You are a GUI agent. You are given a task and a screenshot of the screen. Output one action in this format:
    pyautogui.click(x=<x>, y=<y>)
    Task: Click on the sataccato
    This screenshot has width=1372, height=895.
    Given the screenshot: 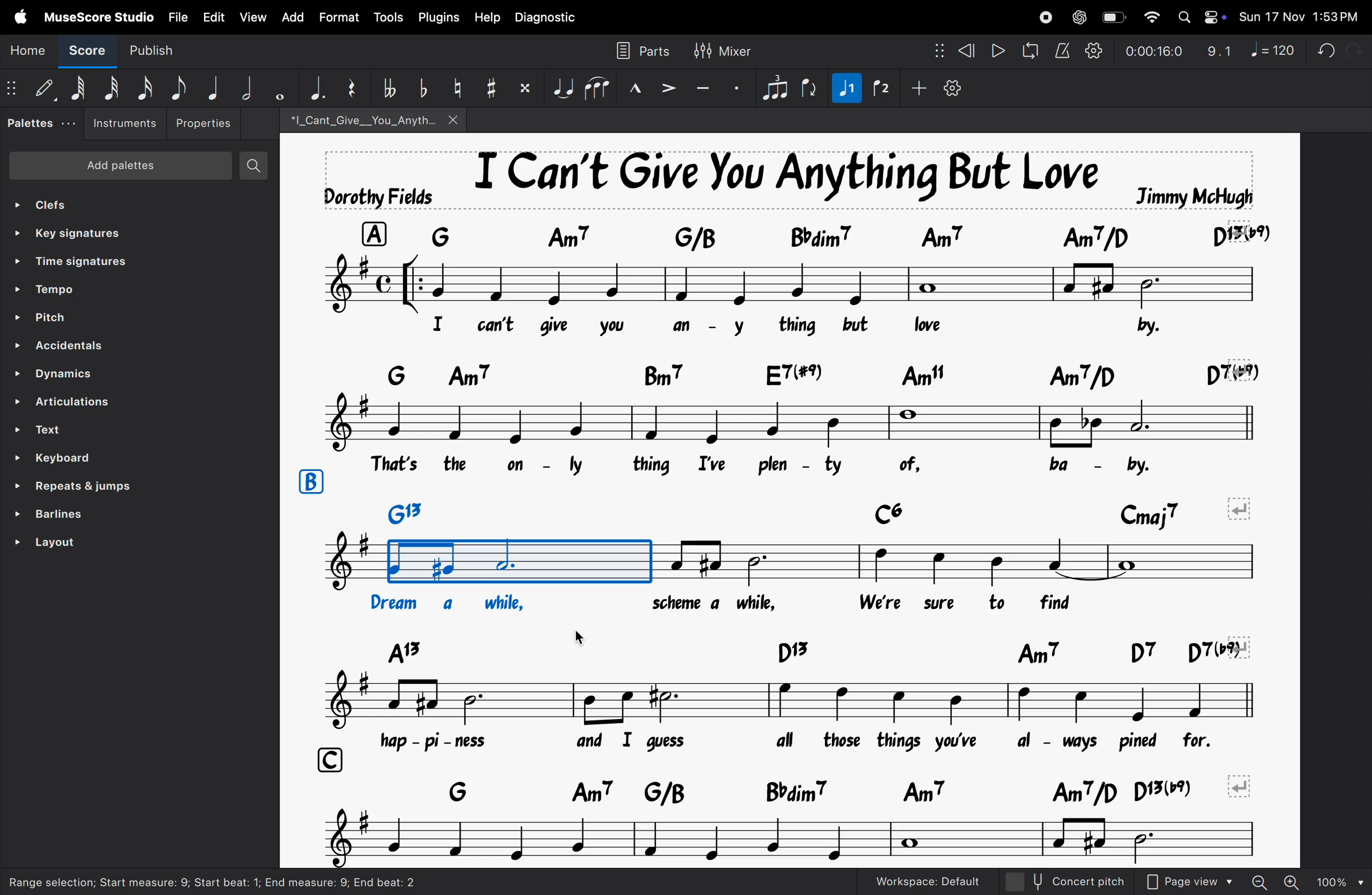 What is the action you would take?
    pyautogui.click(x=741, y=86)
    